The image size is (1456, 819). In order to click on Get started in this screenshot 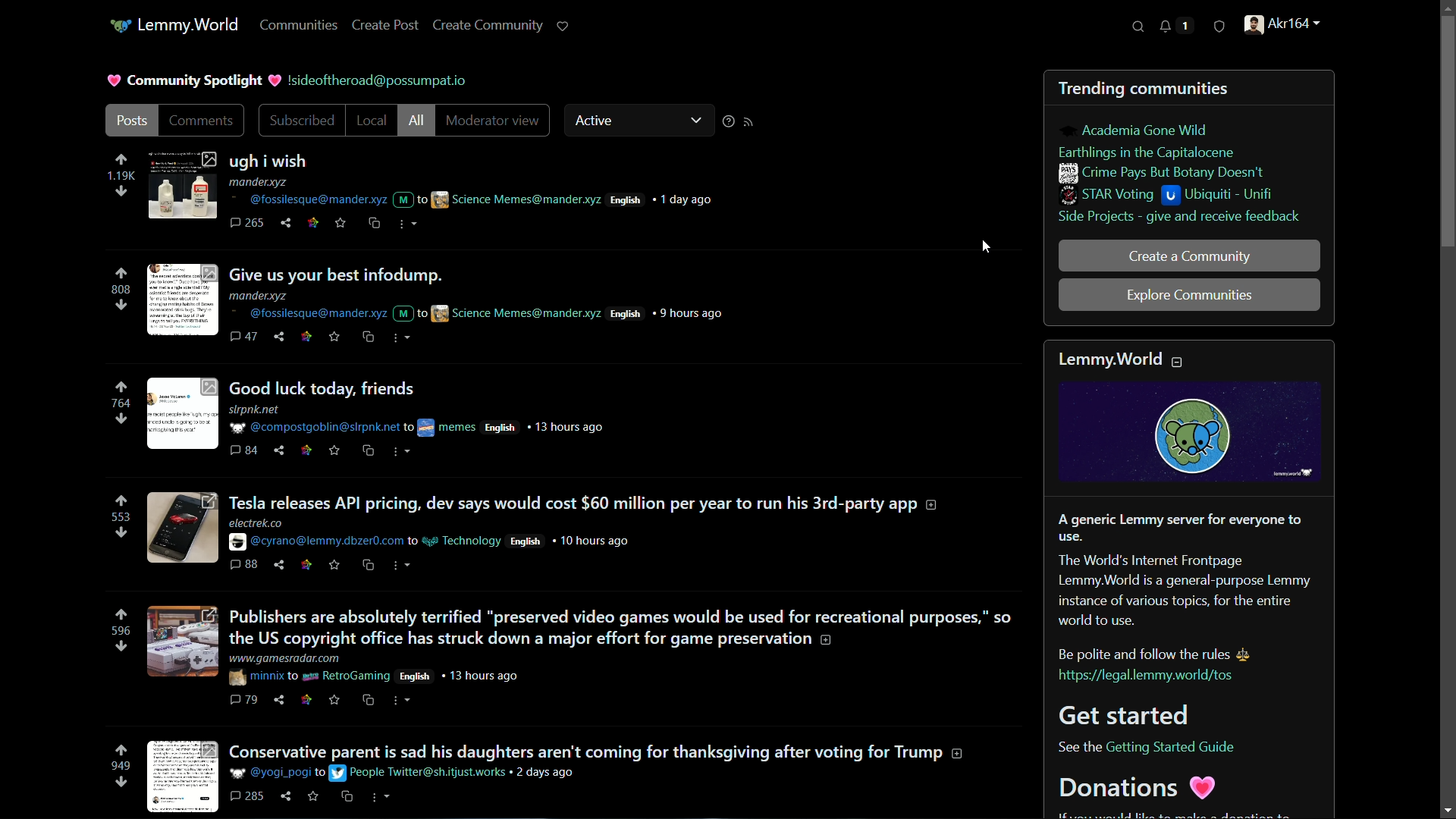, I will do `click(1130, 714)`.